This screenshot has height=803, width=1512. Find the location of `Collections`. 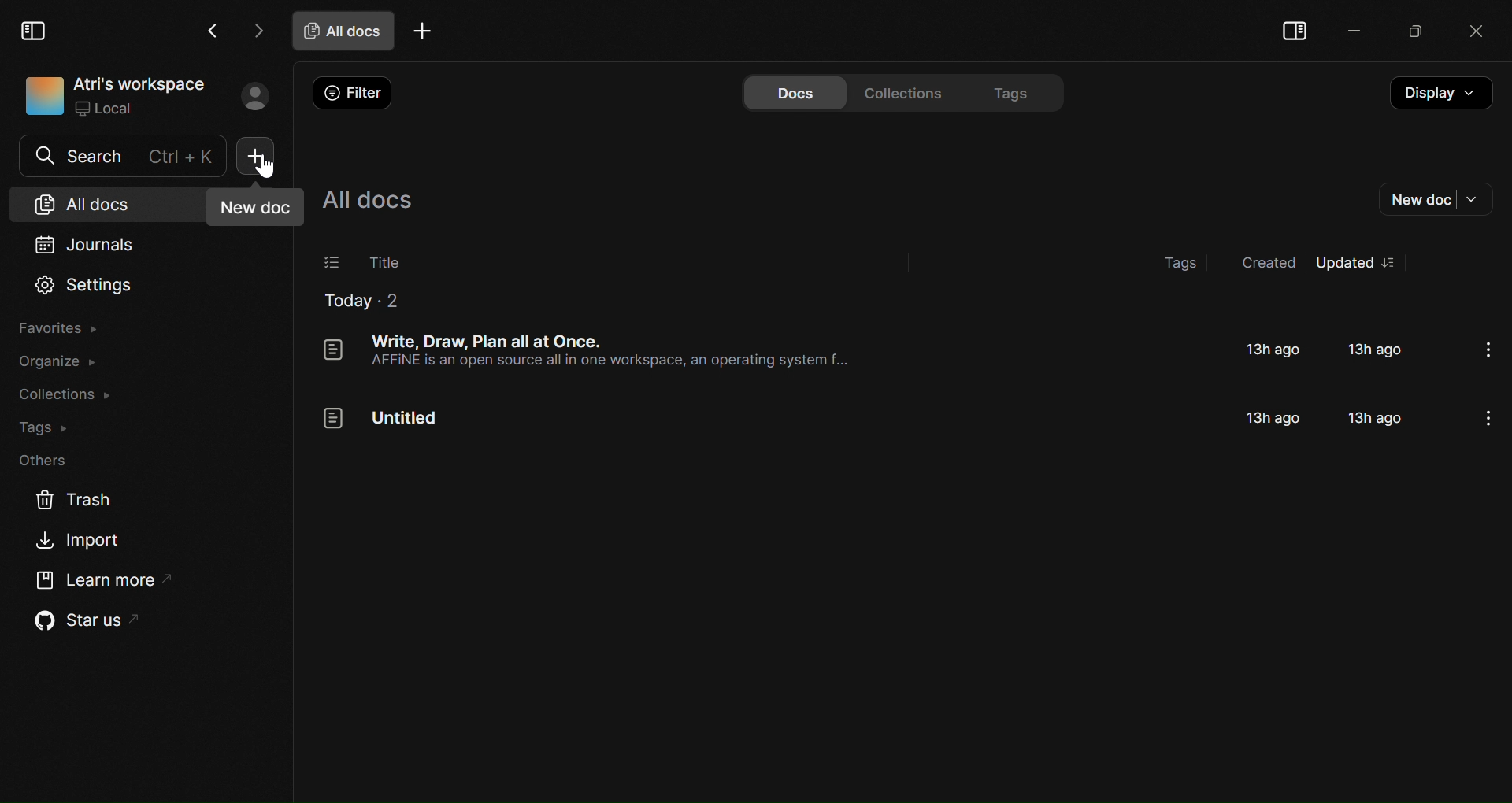

Collections is located at coordinates (909, 91).